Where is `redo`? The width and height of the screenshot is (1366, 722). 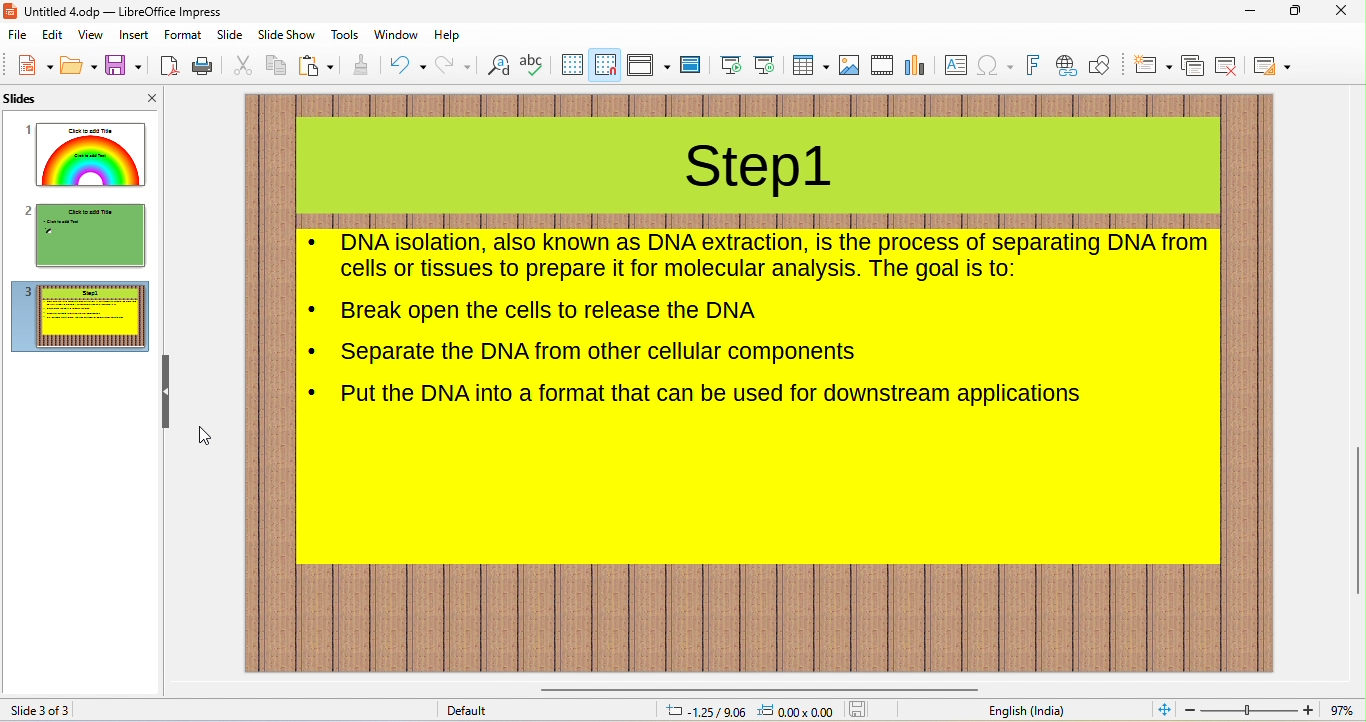 redo is located at coordinates (455, 65).